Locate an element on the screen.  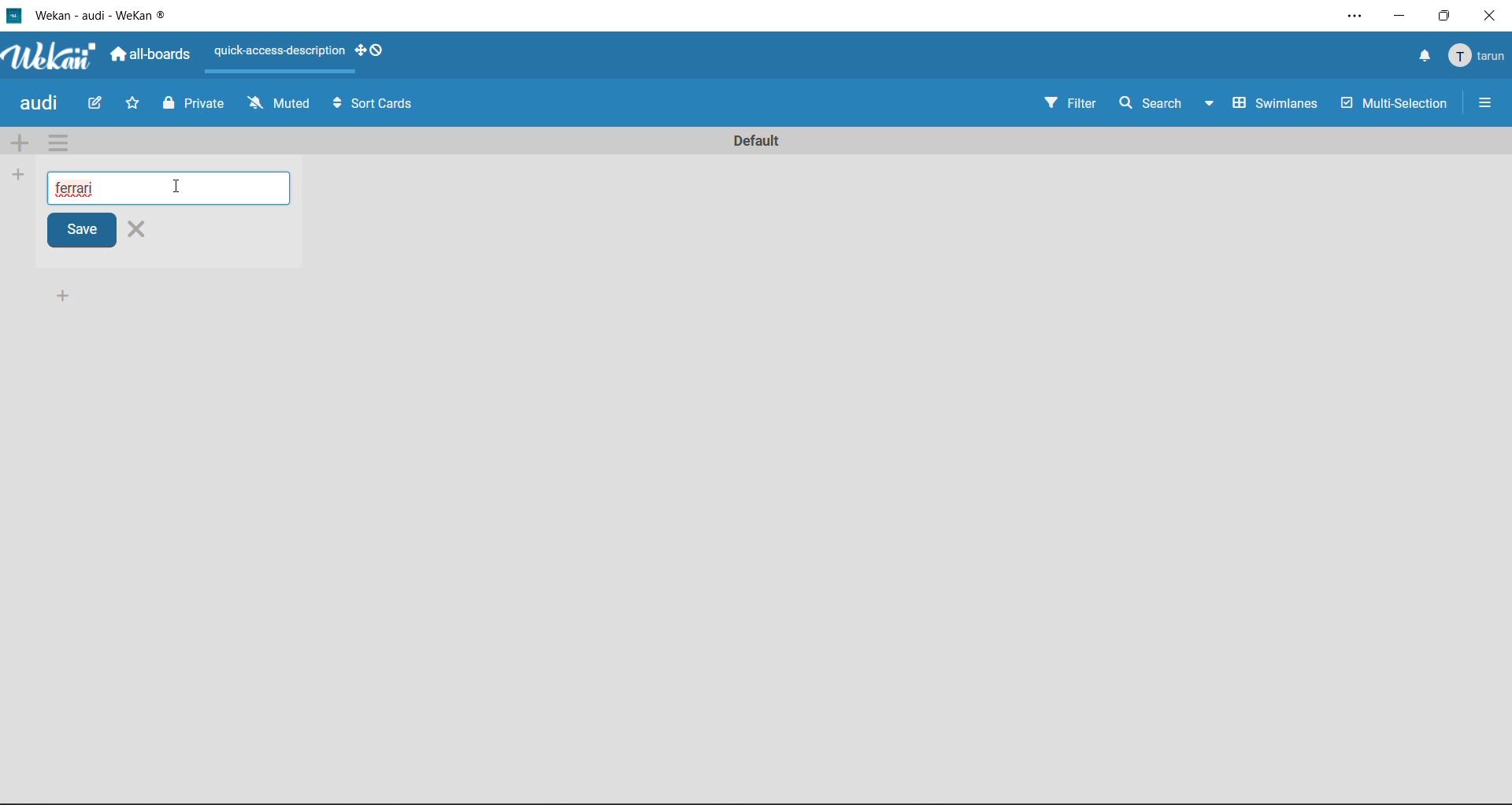
ferrari is located at coordinates (80, 184).